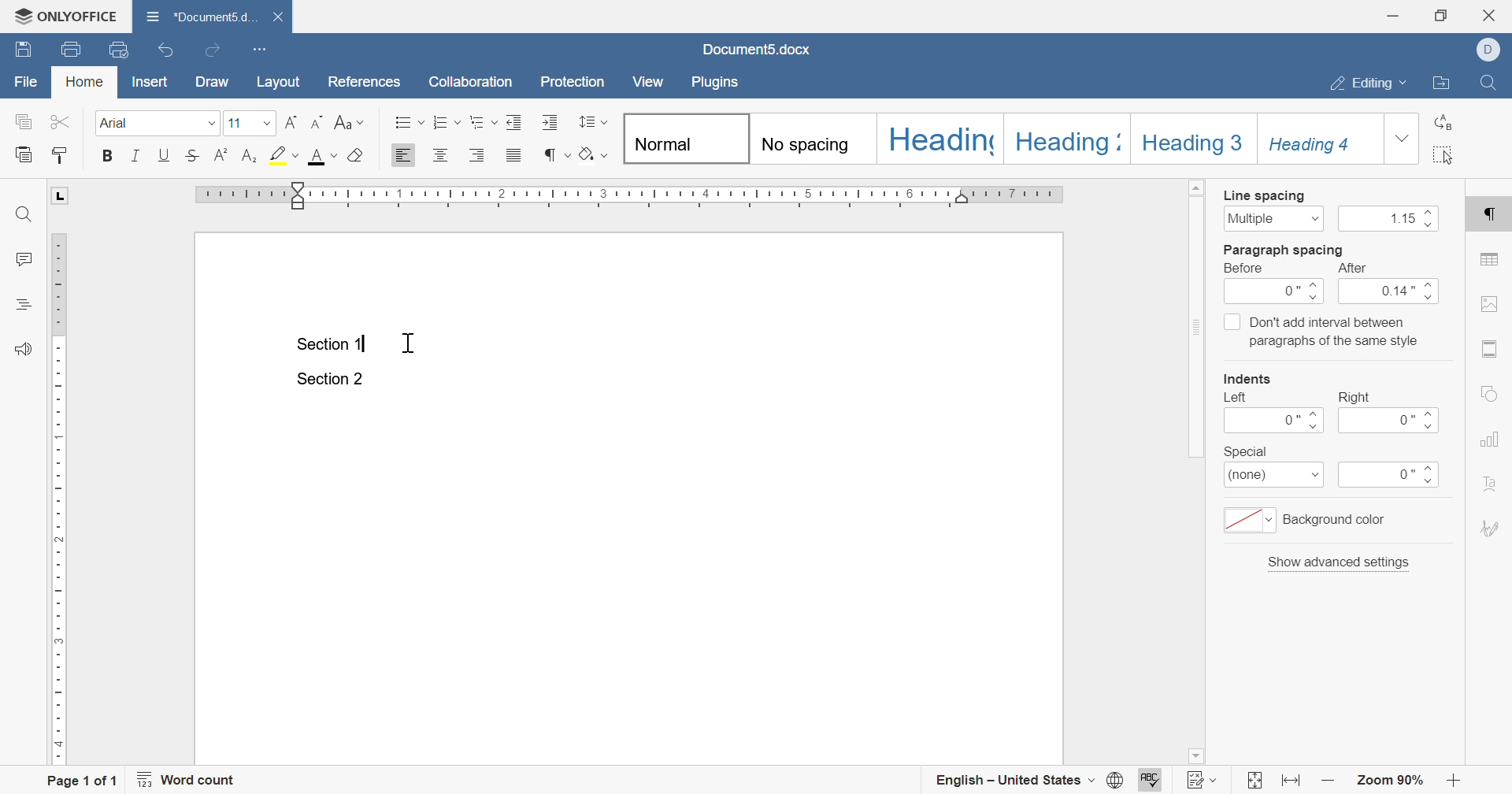 This screenshot has height=794, width=1512. What do you see at coordinates (1489, 529) in the screenshot?
I see `signature settings` at bounding box center [1489, 529].